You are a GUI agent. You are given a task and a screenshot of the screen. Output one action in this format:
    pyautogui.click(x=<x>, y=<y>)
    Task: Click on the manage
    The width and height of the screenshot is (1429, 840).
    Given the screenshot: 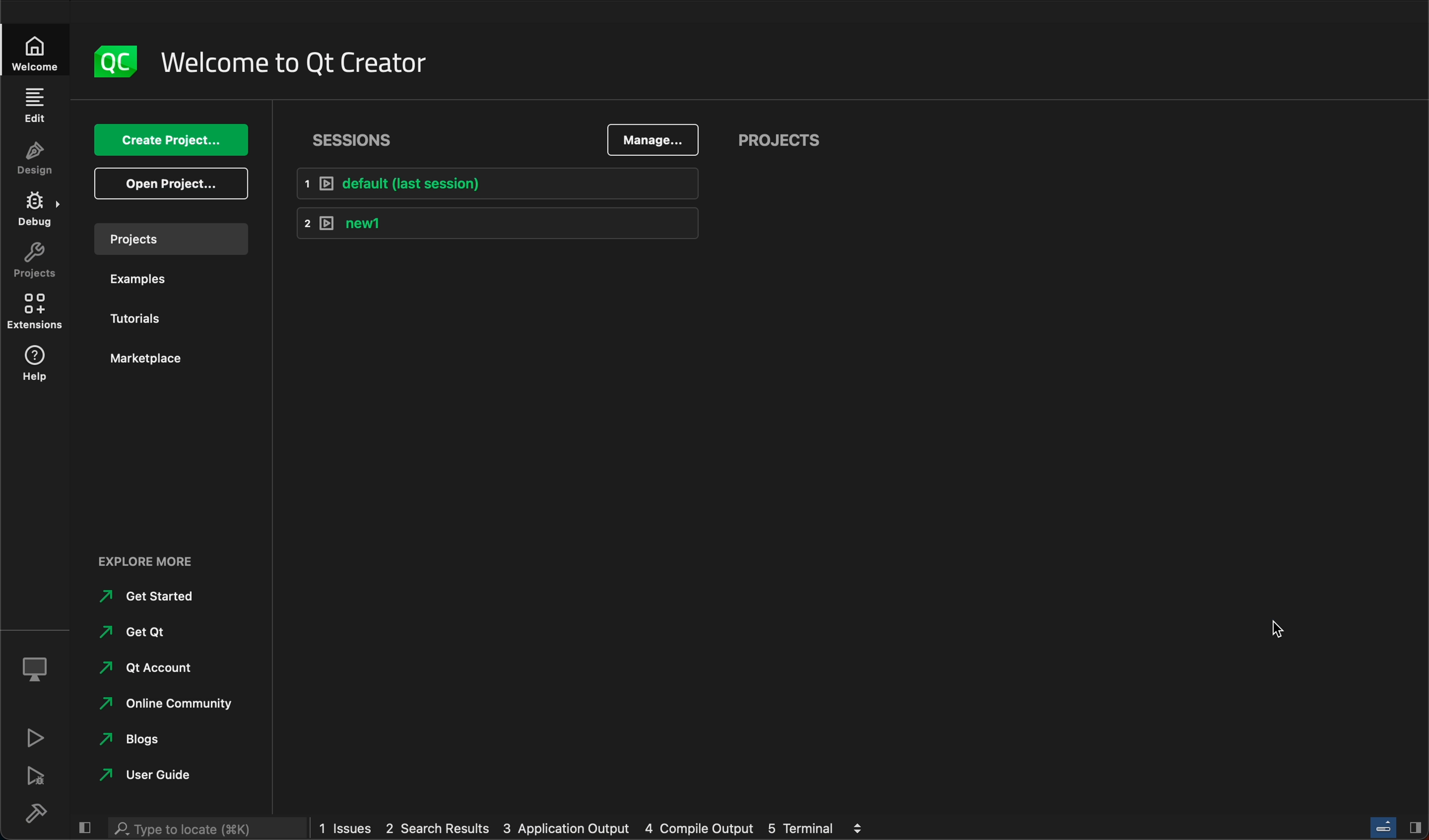 What is the action you would take?
    pyautogui.click(x=653, y=138)
    